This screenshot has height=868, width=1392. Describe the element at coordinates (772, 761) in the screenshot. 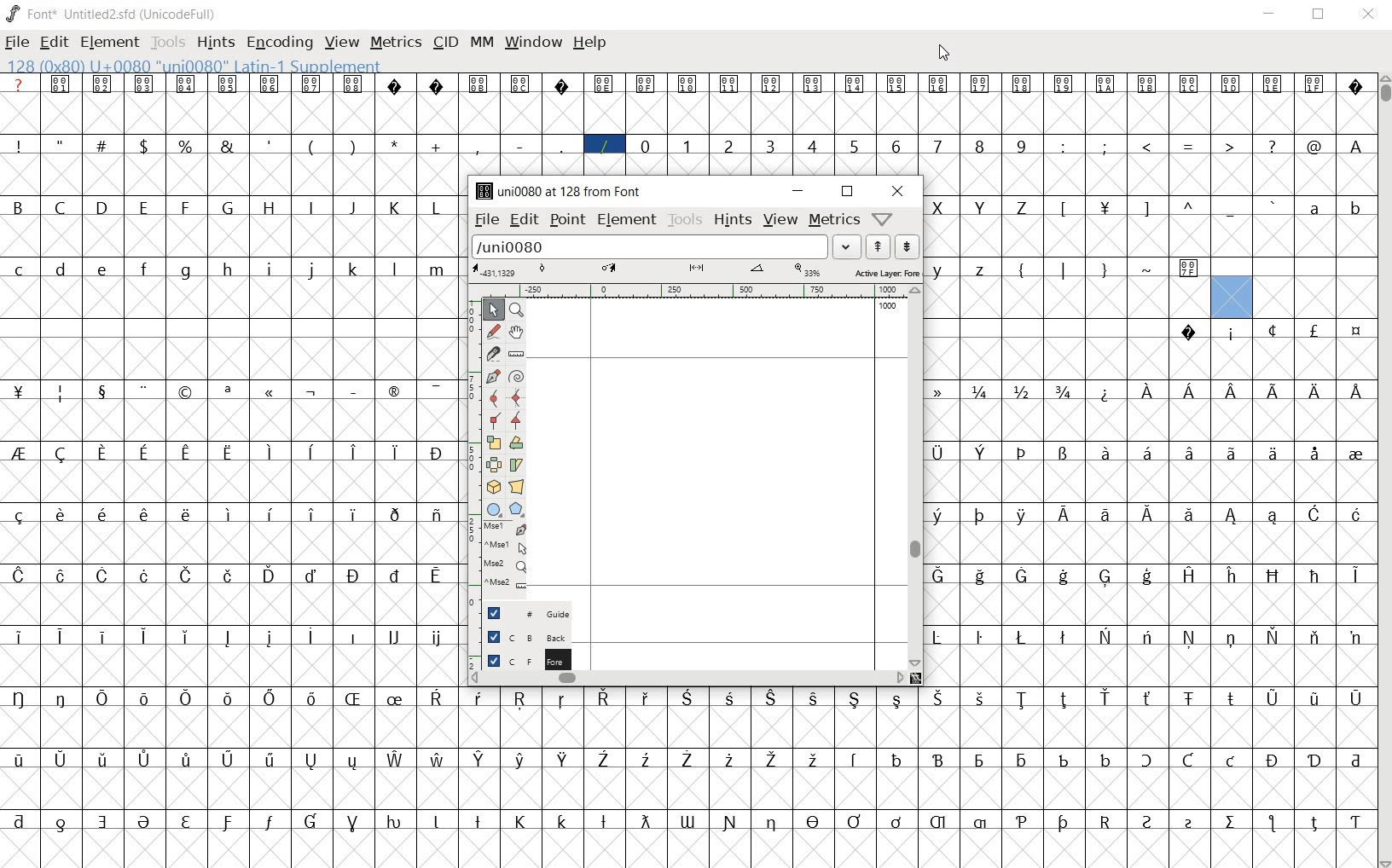

I see `glyph` at that location.